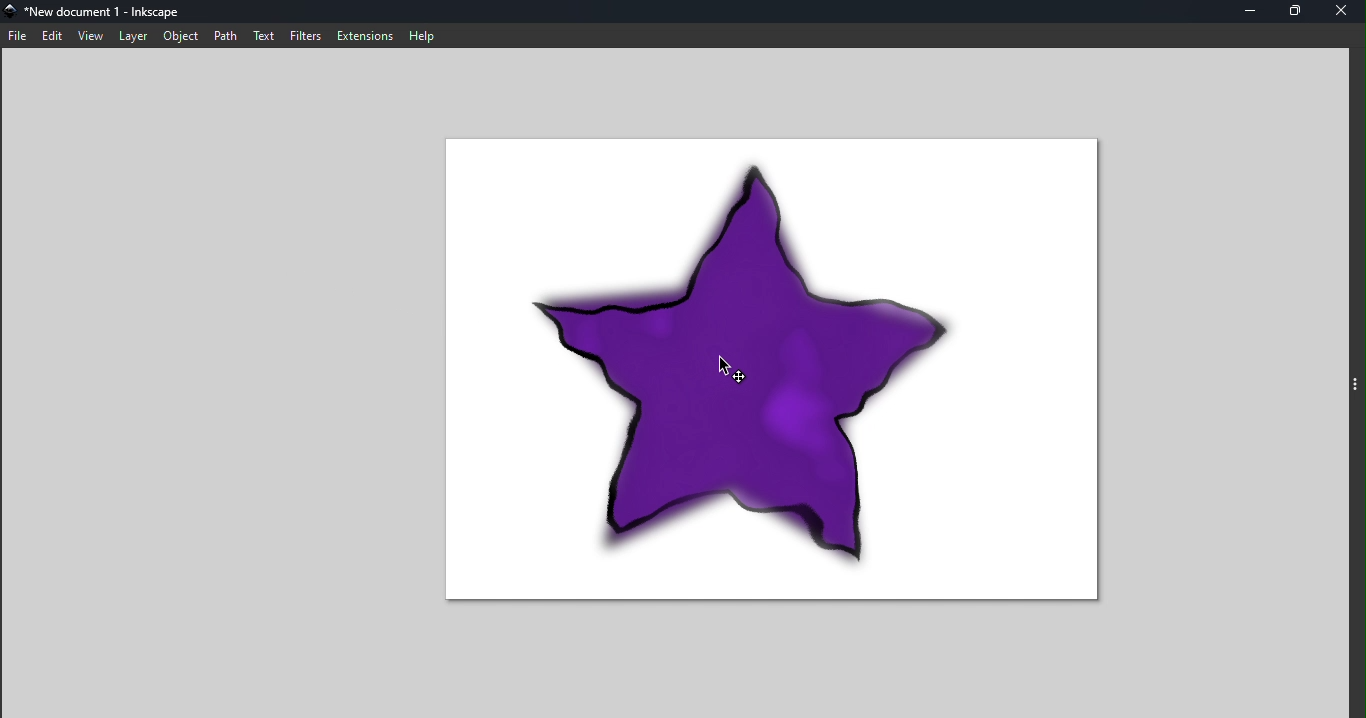  What do you see at coordinates (1344, 11) in the screenshot?
I see `Close` at bounding box center [1344, 11].